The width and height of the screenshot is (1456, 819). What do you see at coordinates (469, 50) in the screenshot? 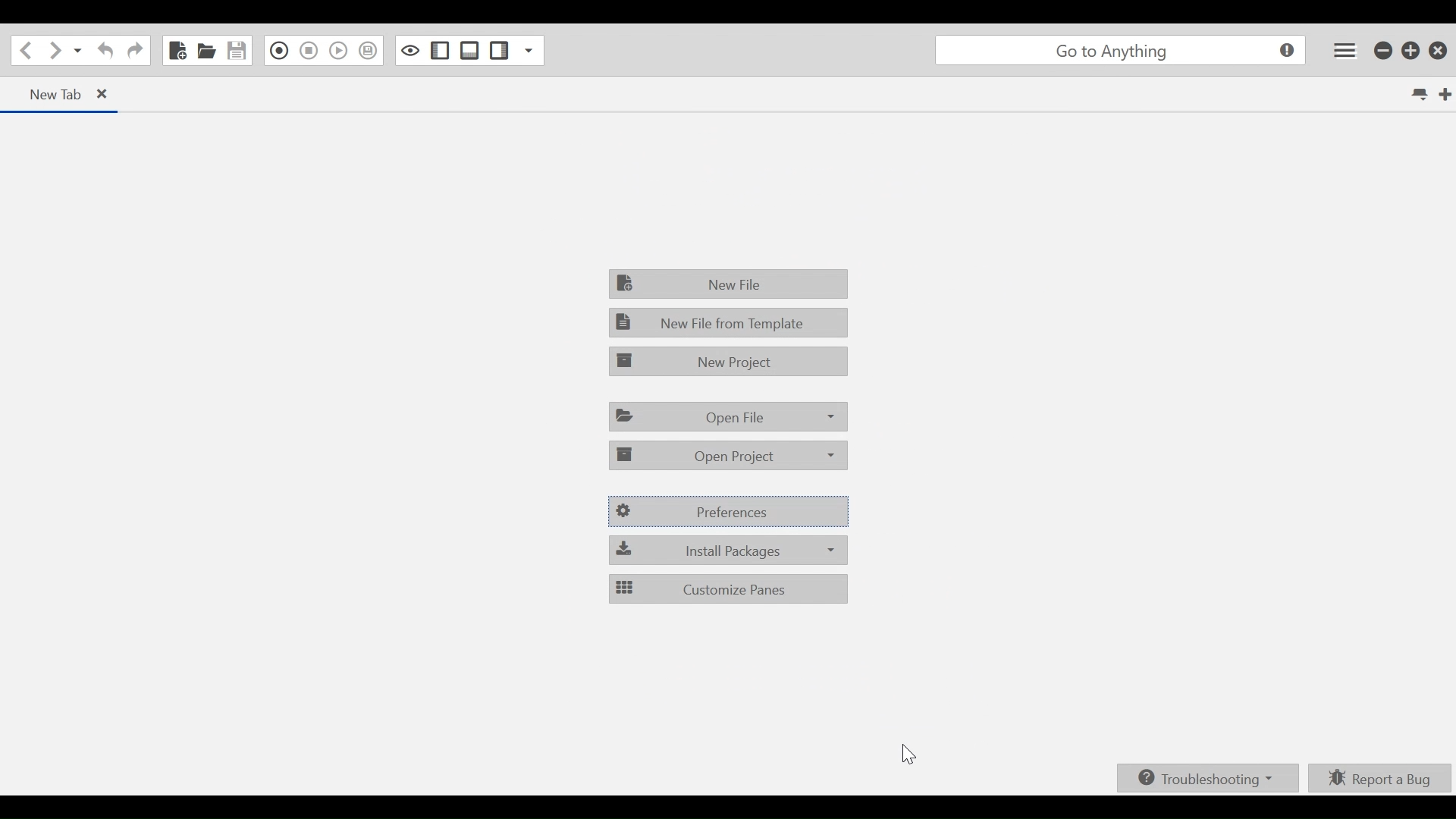
I see `Show/Hide Bottom Pane` at bounding box center [469, 50].